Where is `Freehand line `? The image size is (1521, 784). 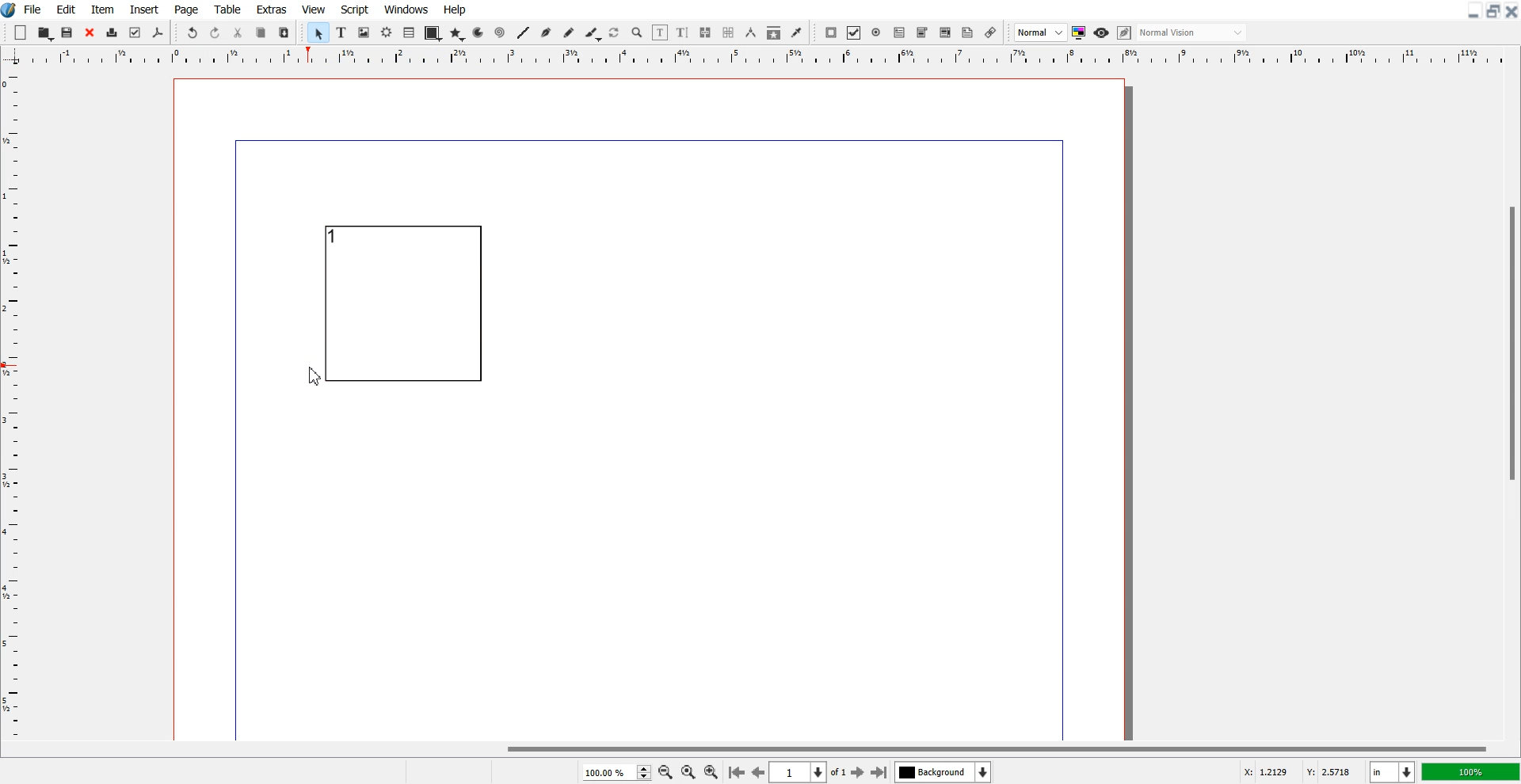 Freehand line  is located at coordinates (569, 33).